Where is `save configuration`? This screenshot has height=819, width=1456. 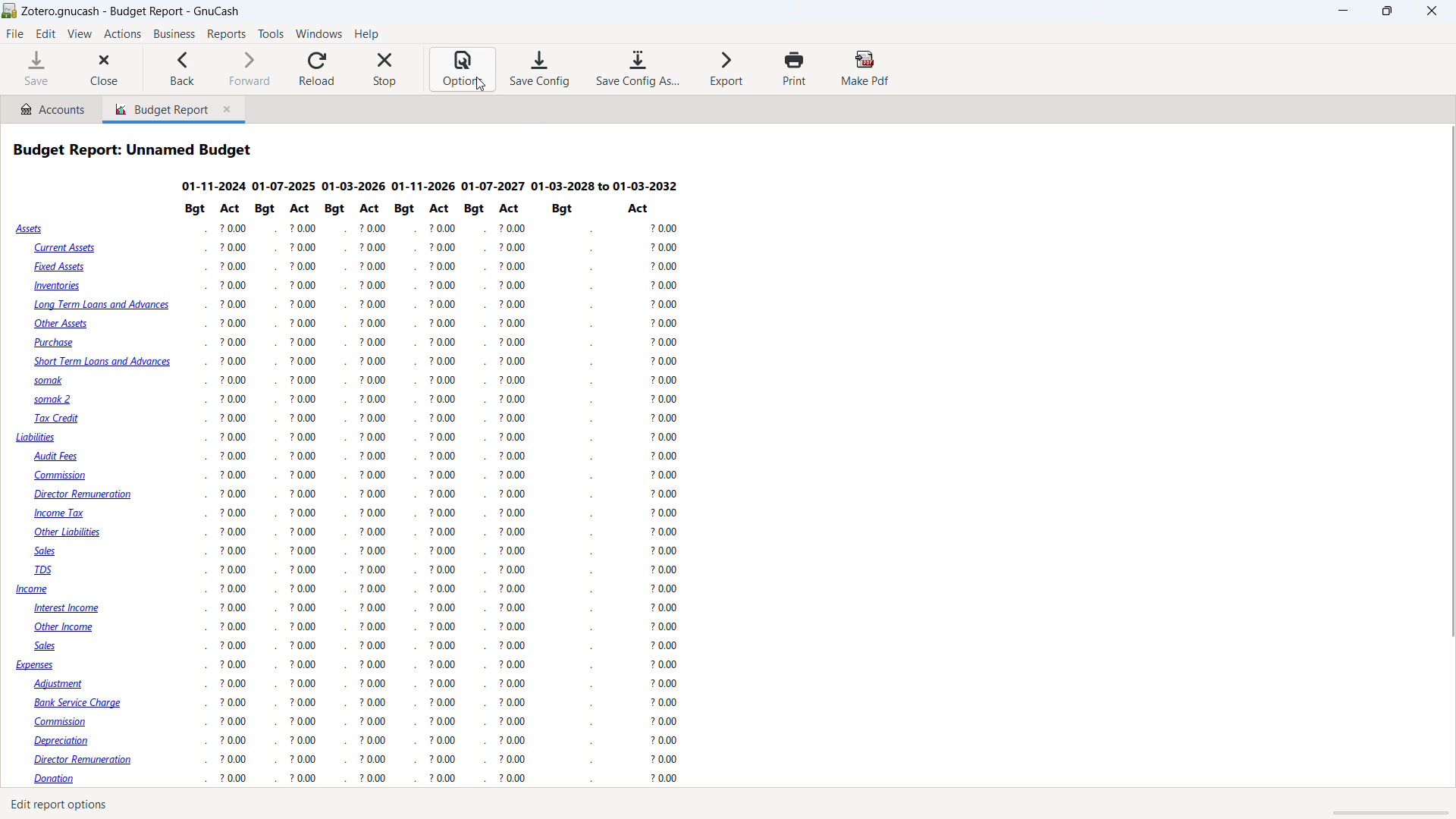 save configuration is located at coordinates (540, 69).